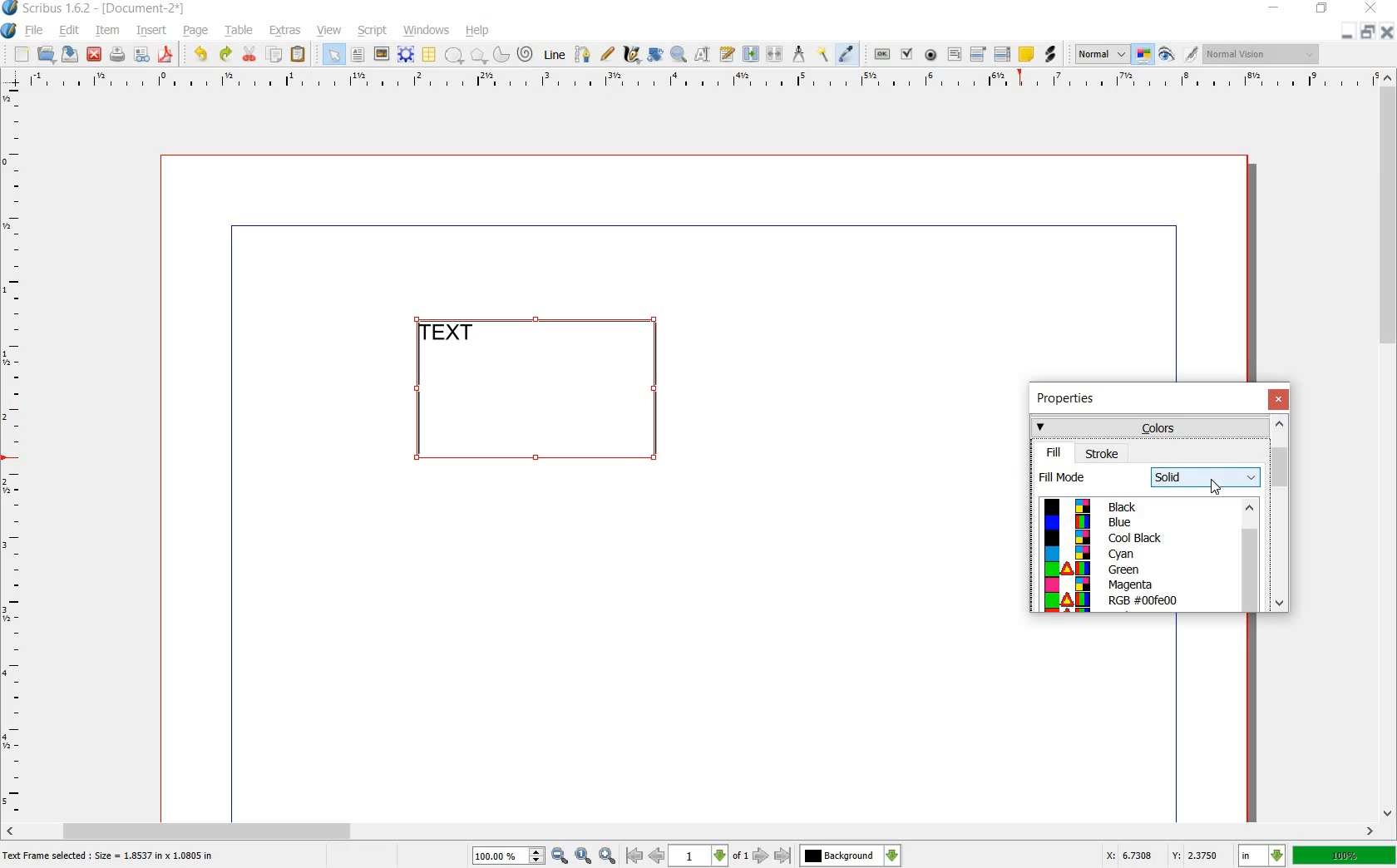 This screenshot has height=868, width=1397. I want to click on zoom in, so click(608, 856).